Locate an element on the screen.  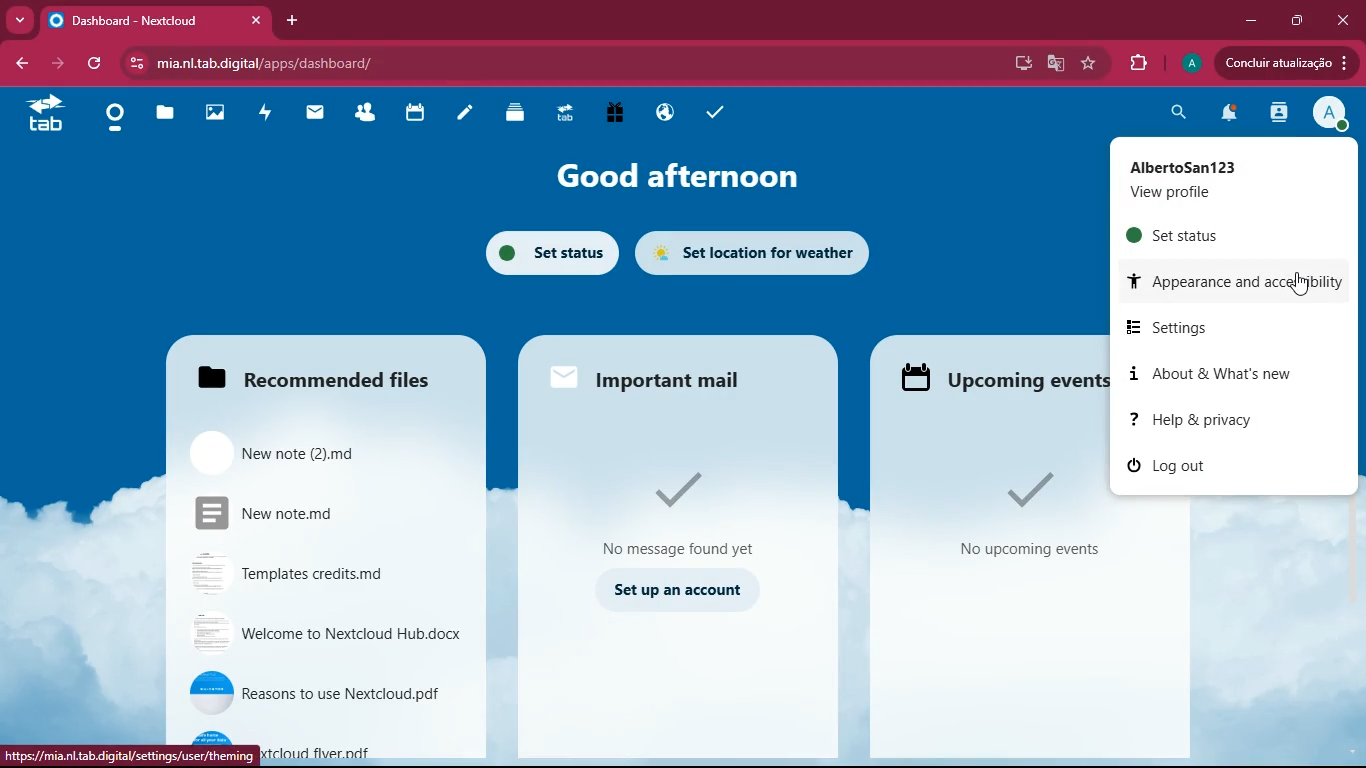
No Message found yet is located at coordinates (680, 509).